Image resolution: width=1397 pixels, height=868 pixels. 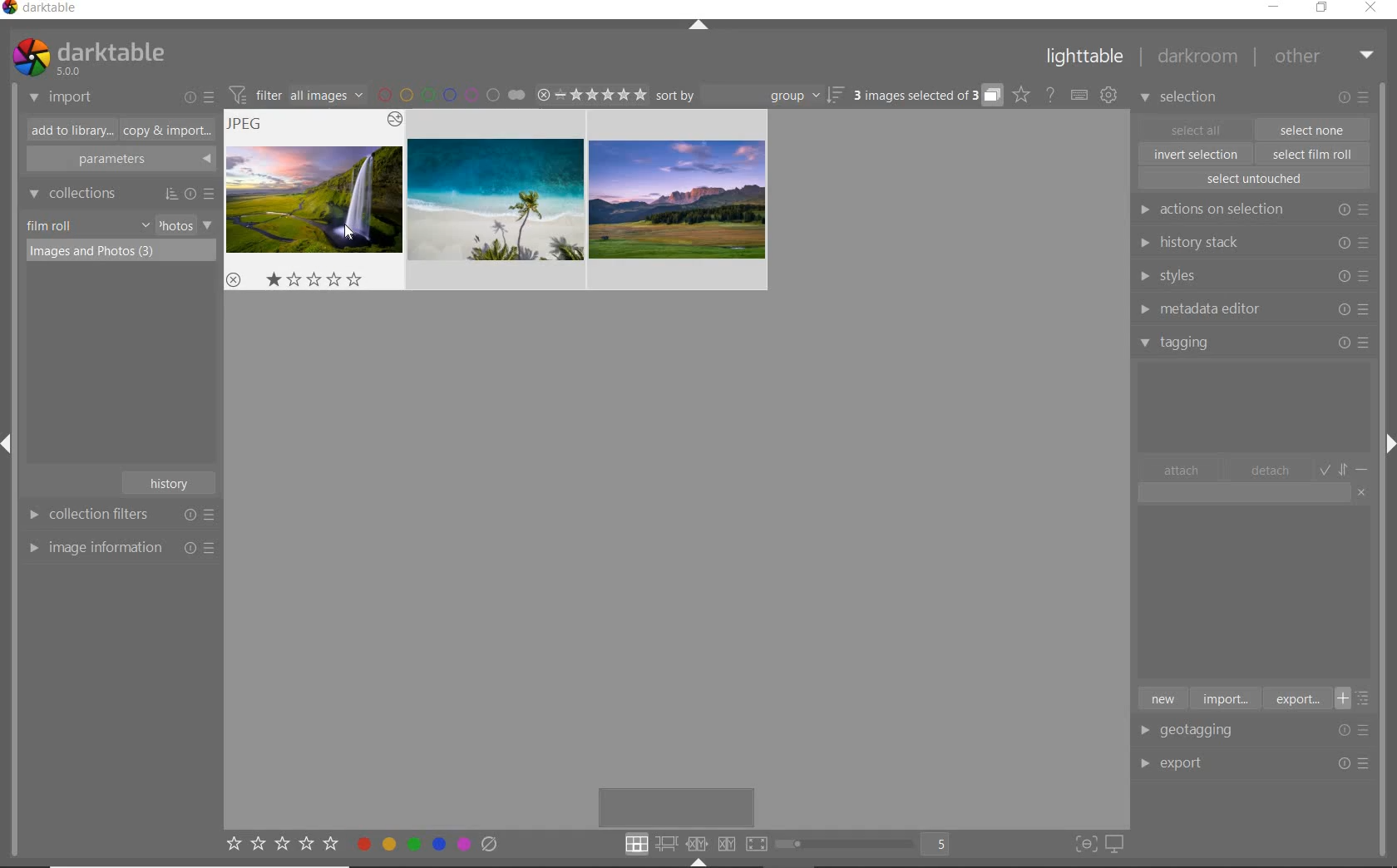 I want to click on image information, so click(x=121, y=547).